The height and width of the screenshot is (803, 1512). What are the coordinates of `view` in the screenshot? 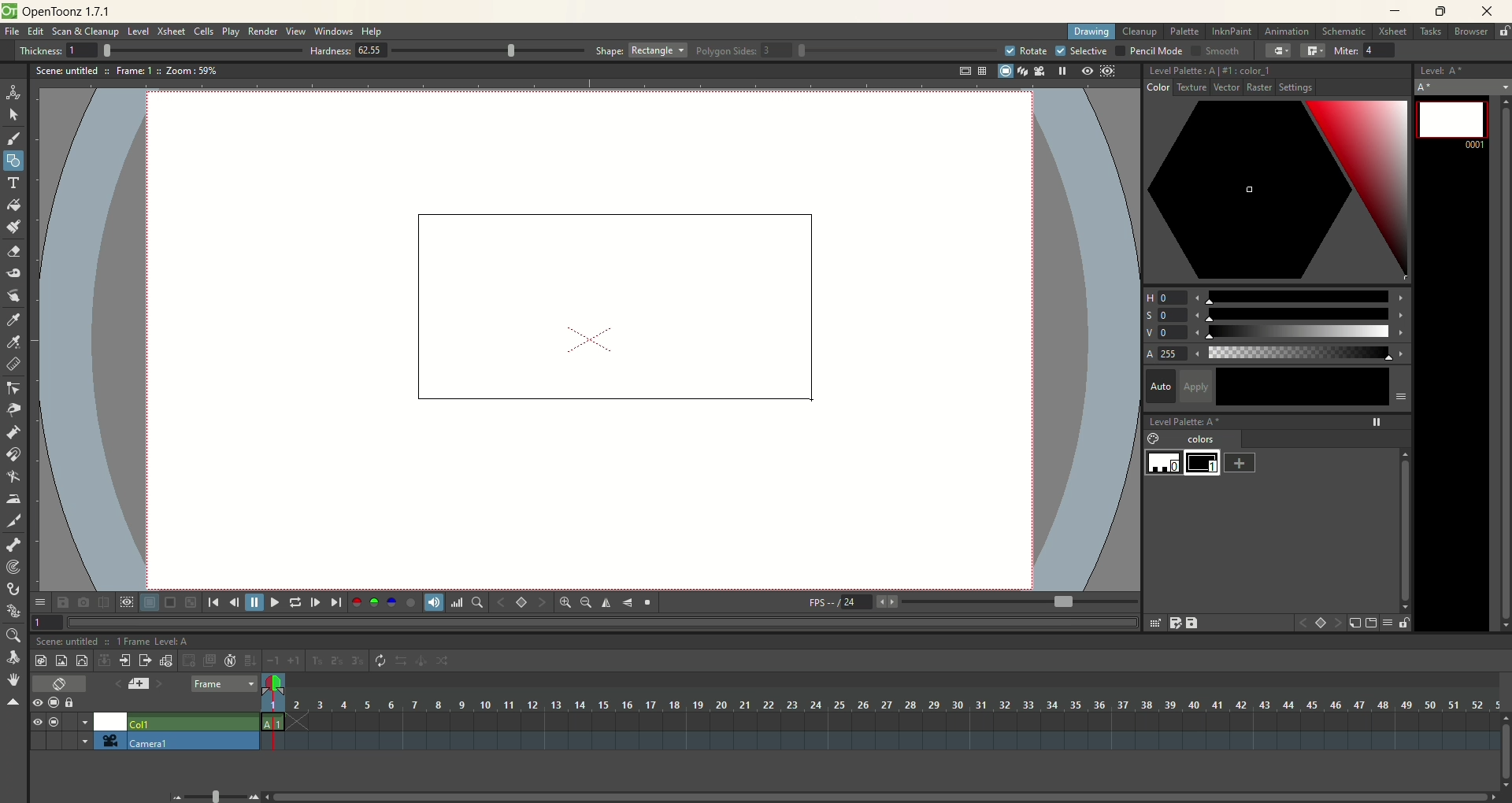 It's located at (296, 31).